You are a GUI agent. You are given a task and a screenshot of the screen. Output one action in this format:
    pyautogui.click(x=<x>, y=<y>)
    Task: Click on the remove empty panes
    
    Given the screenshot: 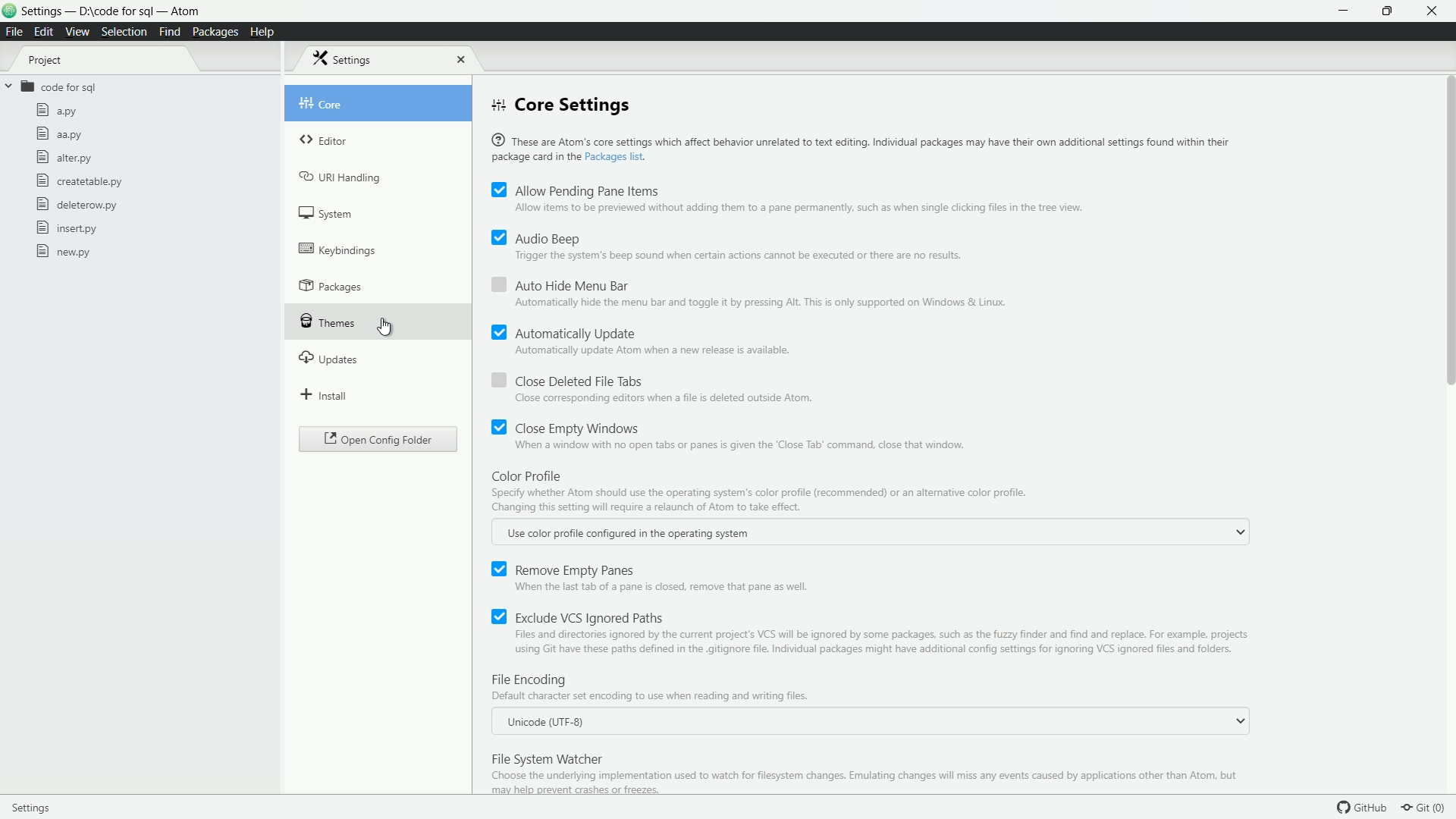 What is the action you would take?
    pyautogui.click(x=558, y=568)
    